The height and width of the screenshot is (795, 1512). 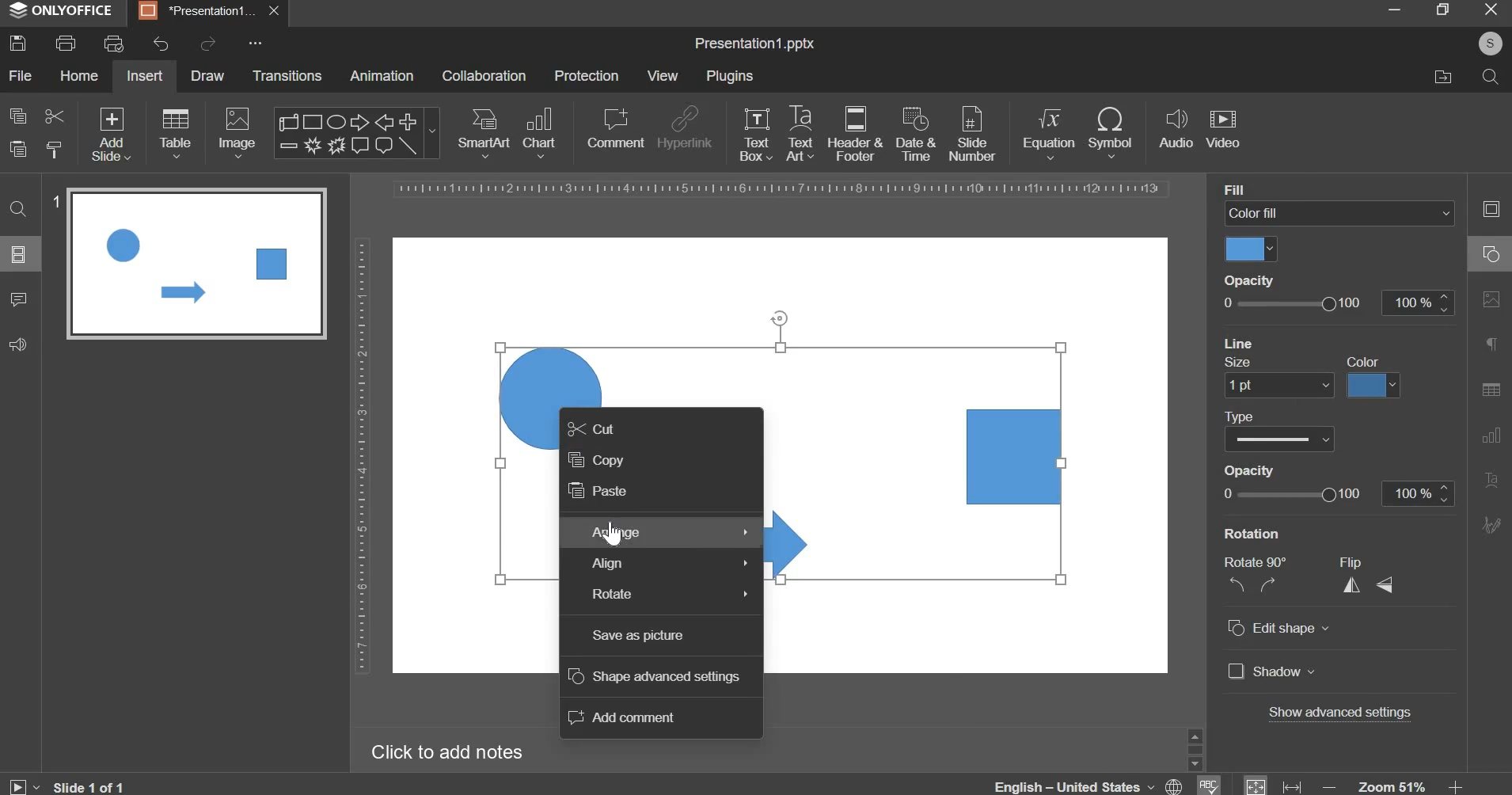 What do you see at coordinates (1247, 361) in the screenshot?
I see `size` at bounding box center [1247, 361].